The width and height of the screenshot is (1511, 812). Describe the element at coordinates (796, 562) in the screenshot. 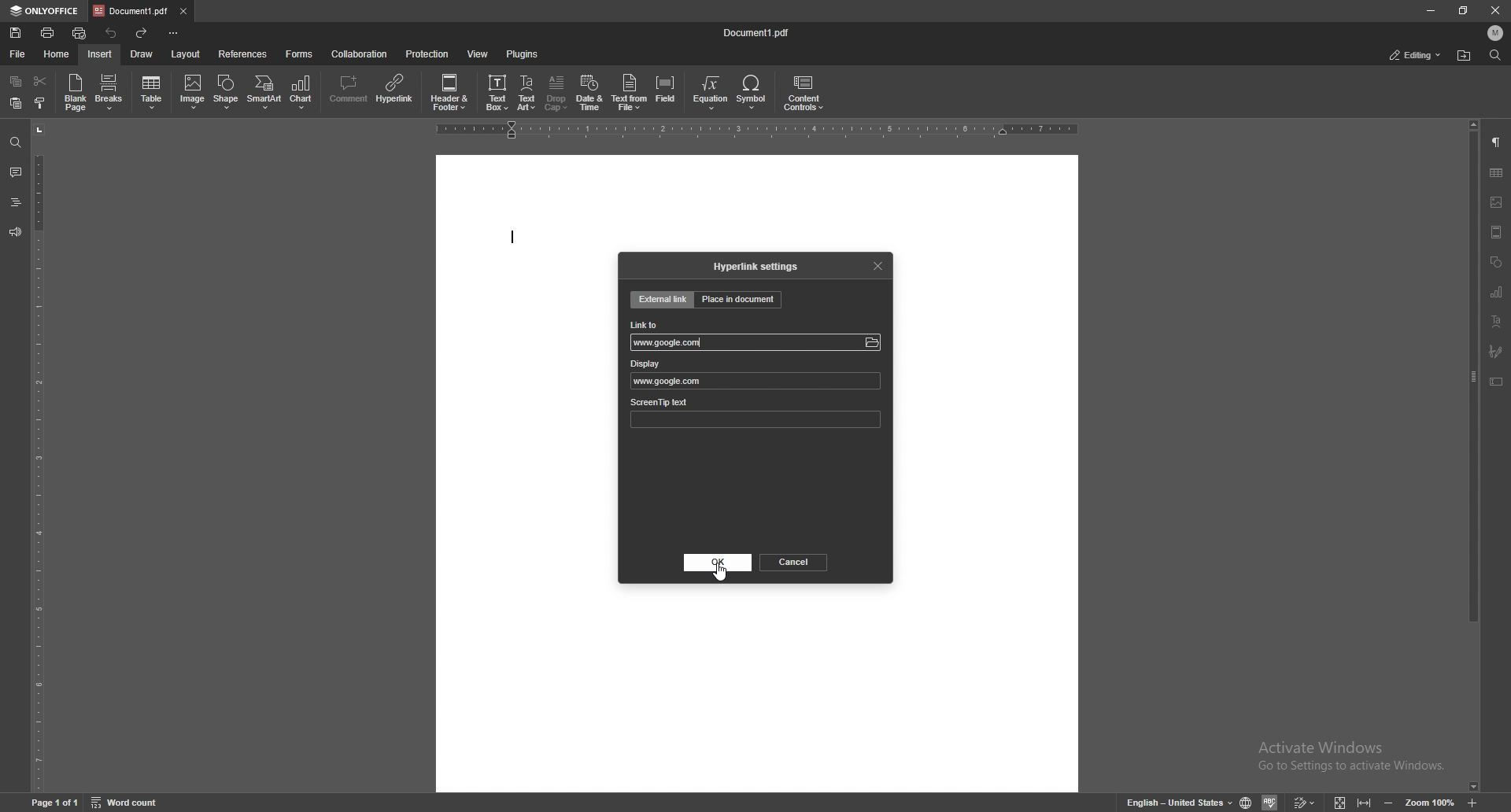

I see `cancel` at that location.